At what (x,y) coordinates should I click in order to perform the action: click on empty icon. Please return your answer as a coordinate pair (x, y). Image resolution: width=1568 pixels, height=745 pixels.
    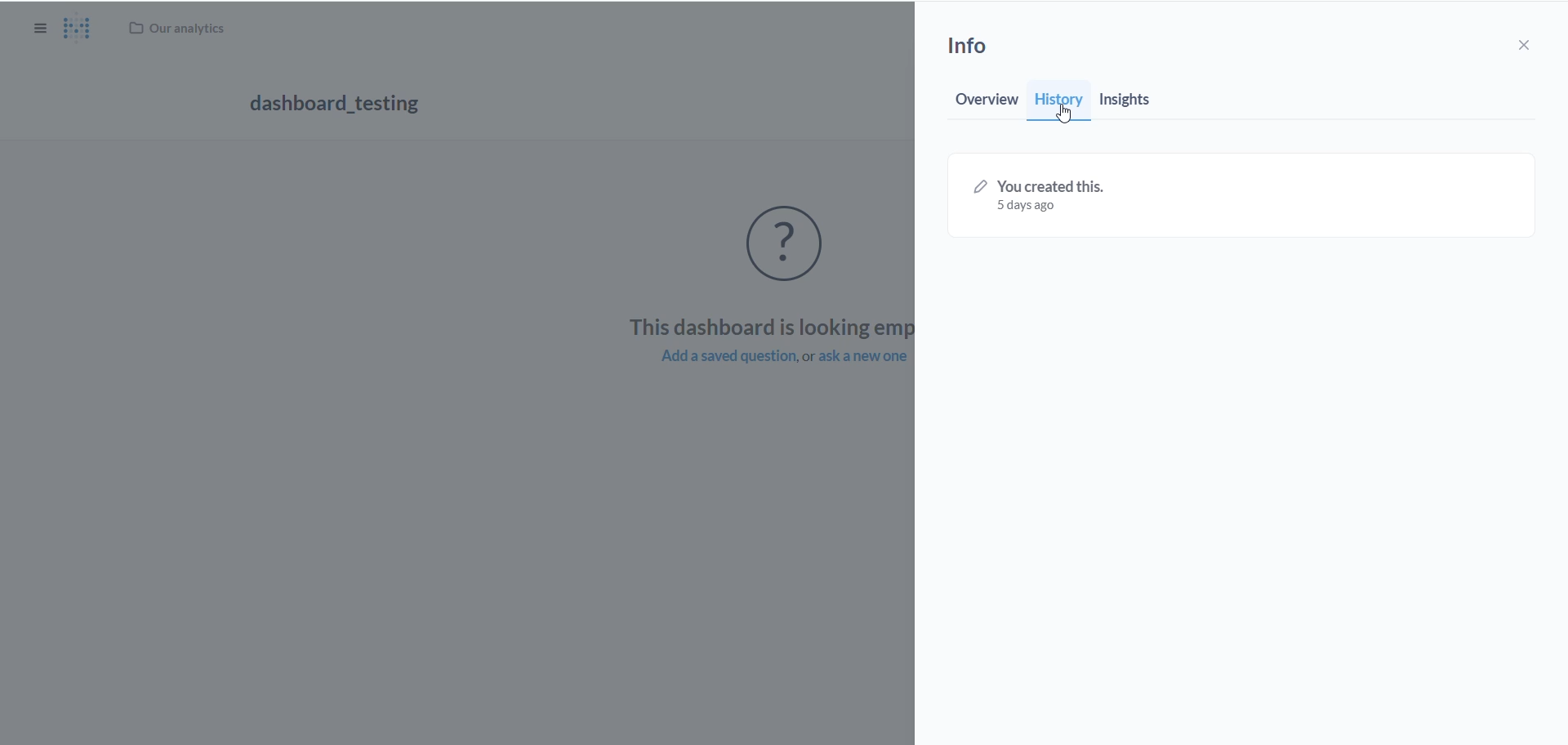
    Looking at the image, I should click on (795, 246).